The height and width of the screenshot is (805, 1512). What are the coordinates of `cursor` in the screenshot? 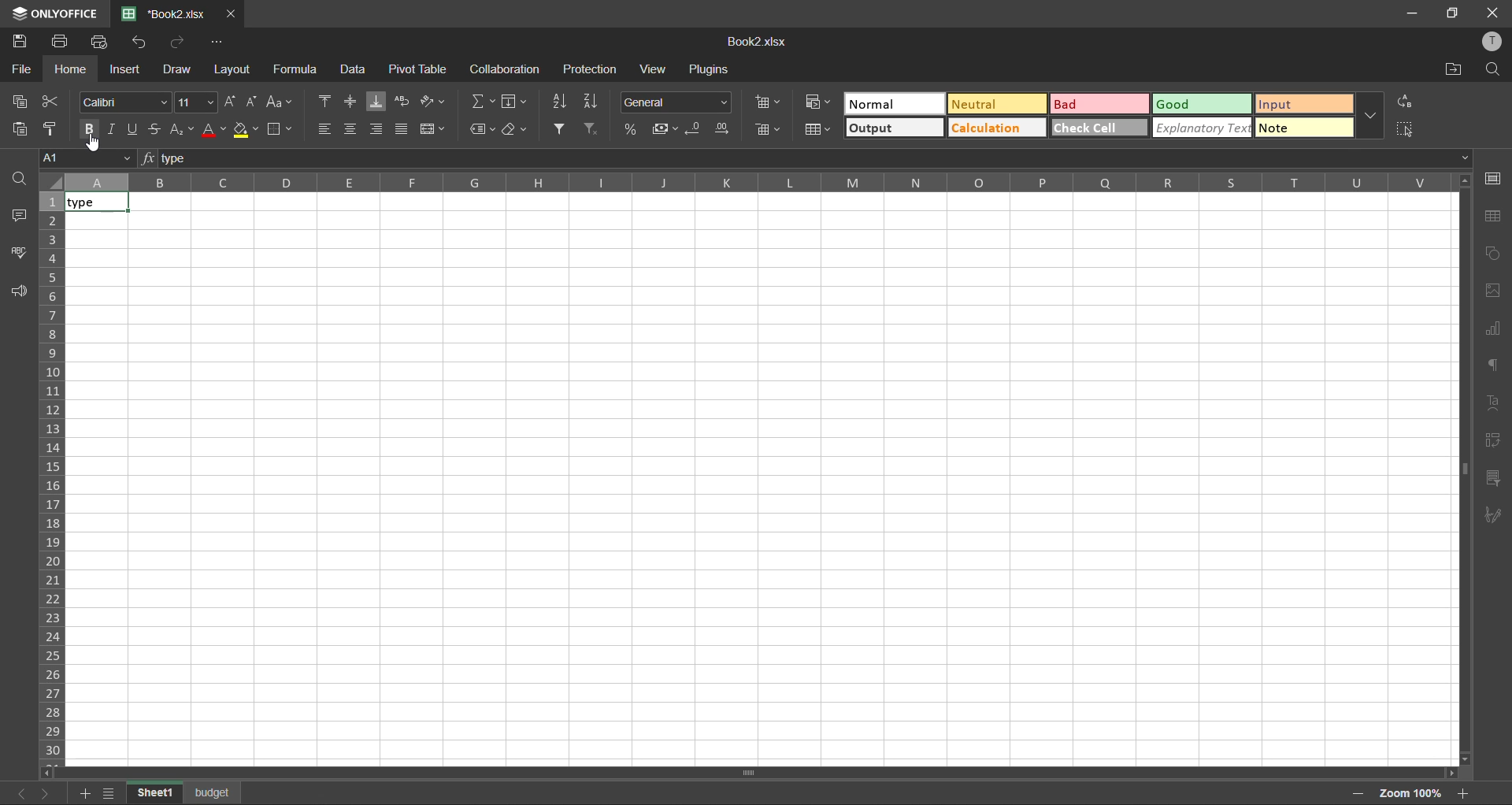 It's located at (98, 142).